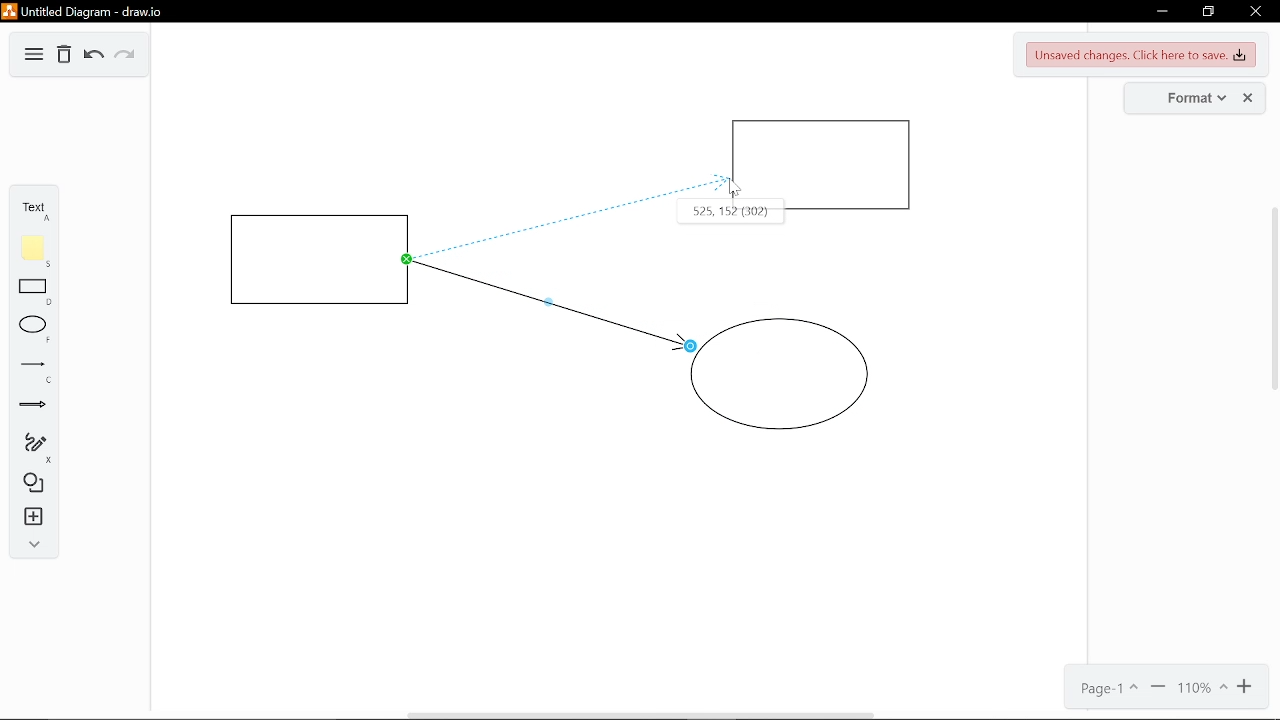 This screenshot has width=1280, height=720. What do you see at coordinates (1156, 689) in the screenshot?
I see `Zoom out` at bounding box center [1156, 689].